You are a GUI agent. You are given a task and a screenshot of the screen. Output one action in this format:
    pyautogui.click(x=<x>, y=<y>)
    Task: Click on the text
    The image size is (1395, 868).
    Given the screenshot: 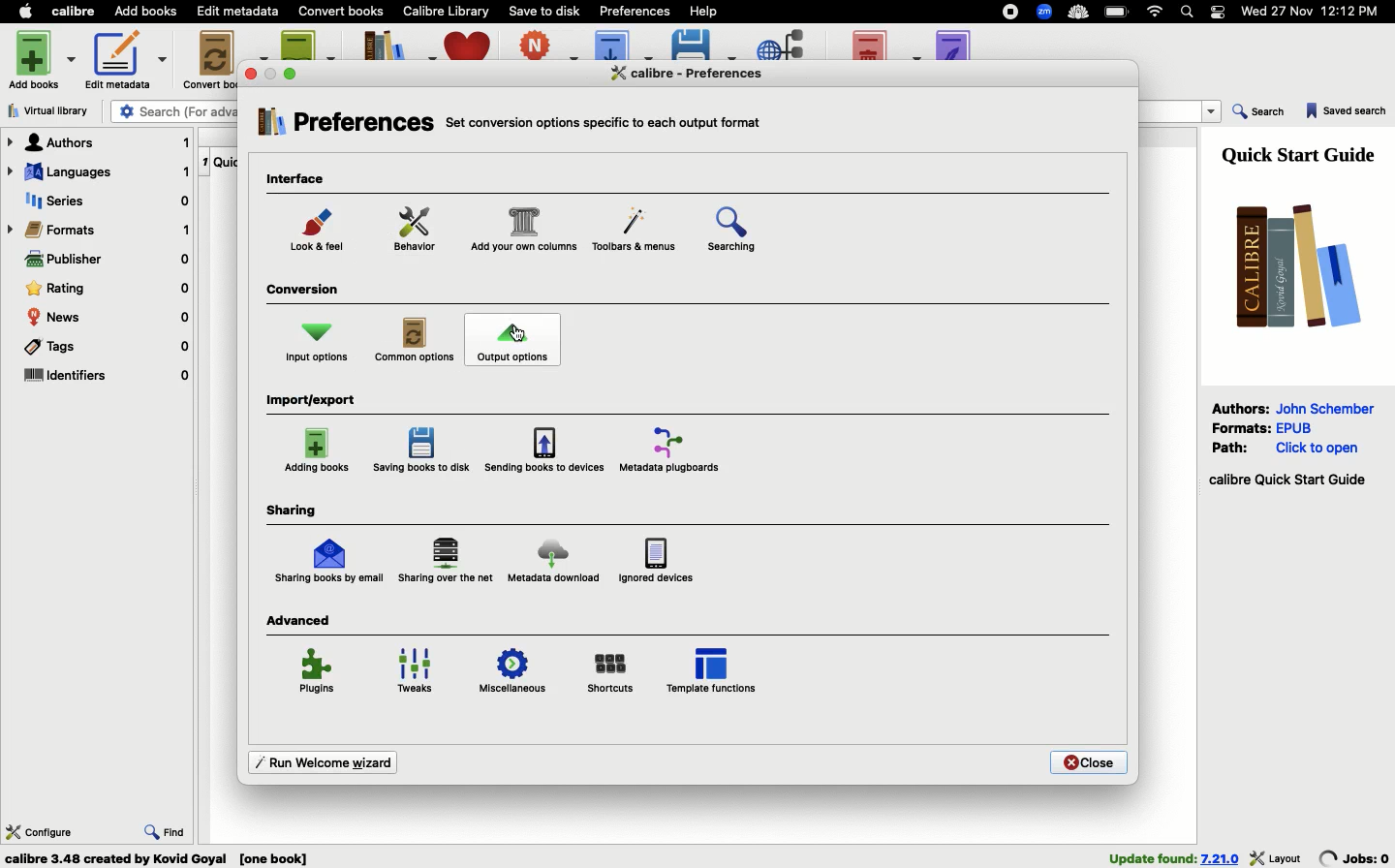 What is the action you would take?
    pyautogui.click(x=602, y=120)
    